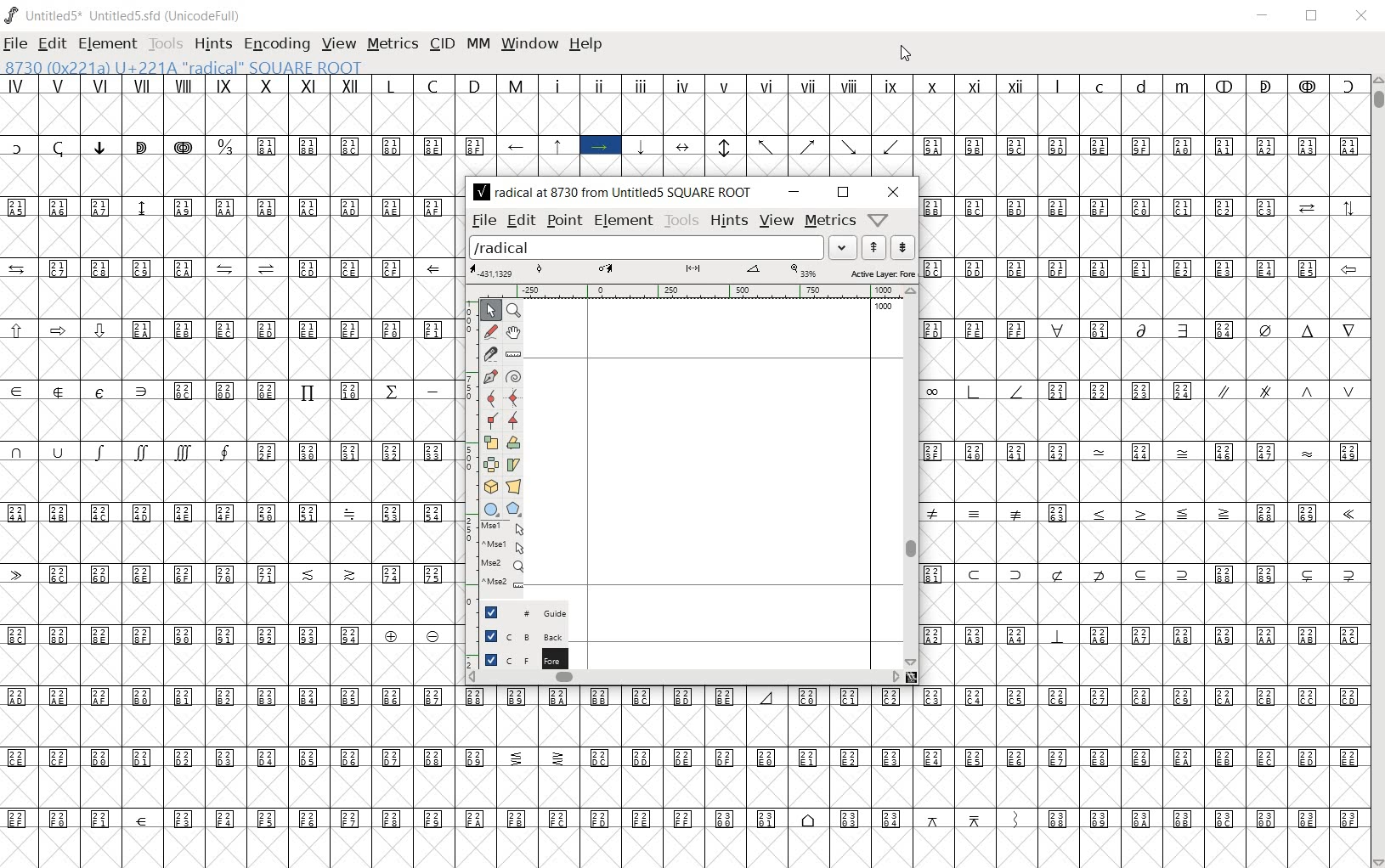 The width and height of the screenshot is (1385, 868). I want to click on TOOLS, so click(166, 44).